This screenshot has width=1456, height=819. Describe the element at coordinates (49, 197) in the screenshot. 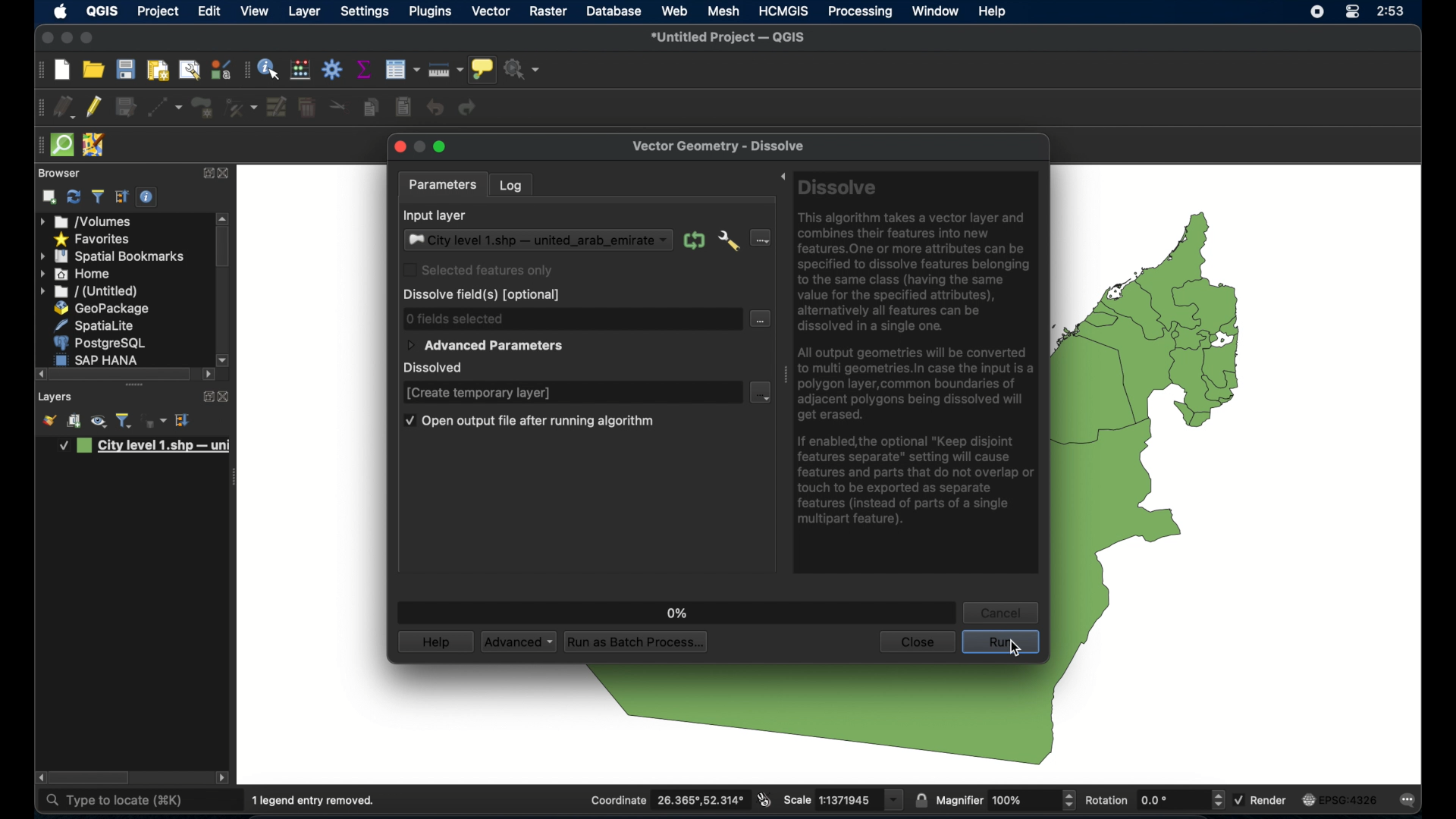

I see `add selected layers` at that location.